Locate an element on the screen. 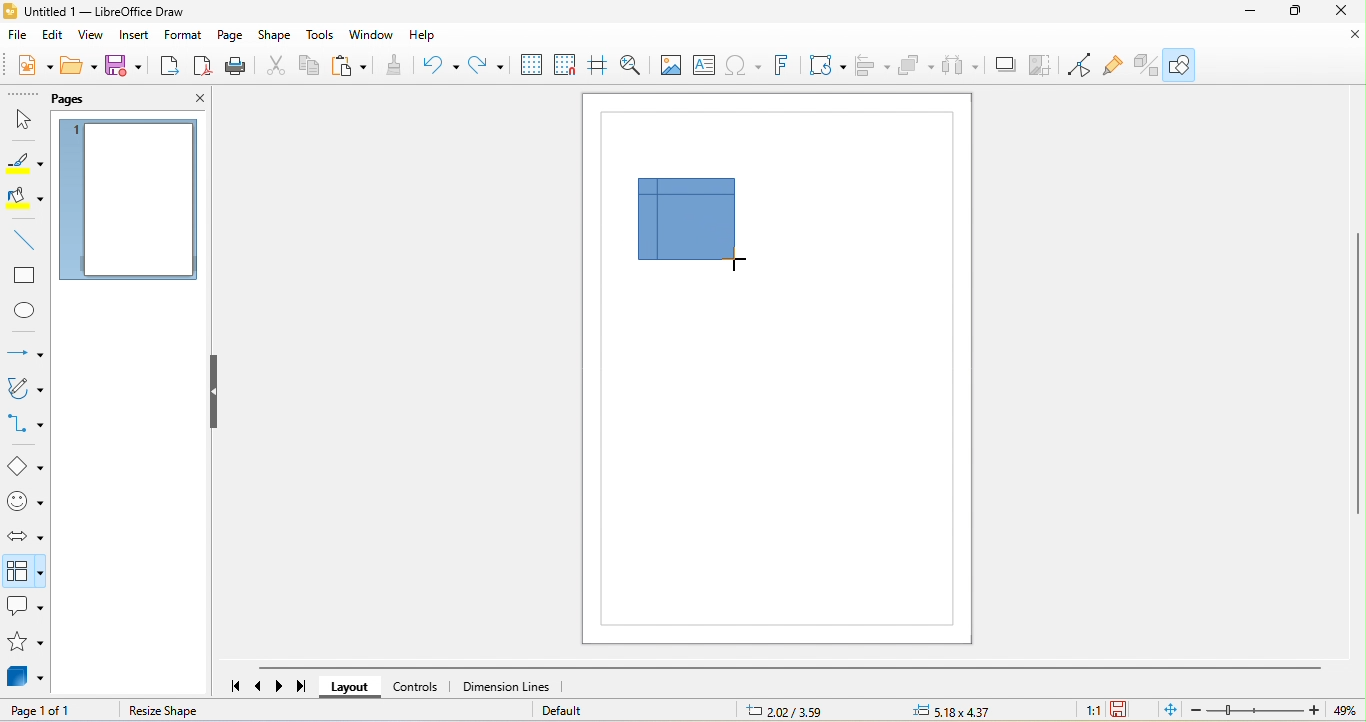 The height and width of the screenshot is (722, 1366). transformation is located at coordinates (828, 67).